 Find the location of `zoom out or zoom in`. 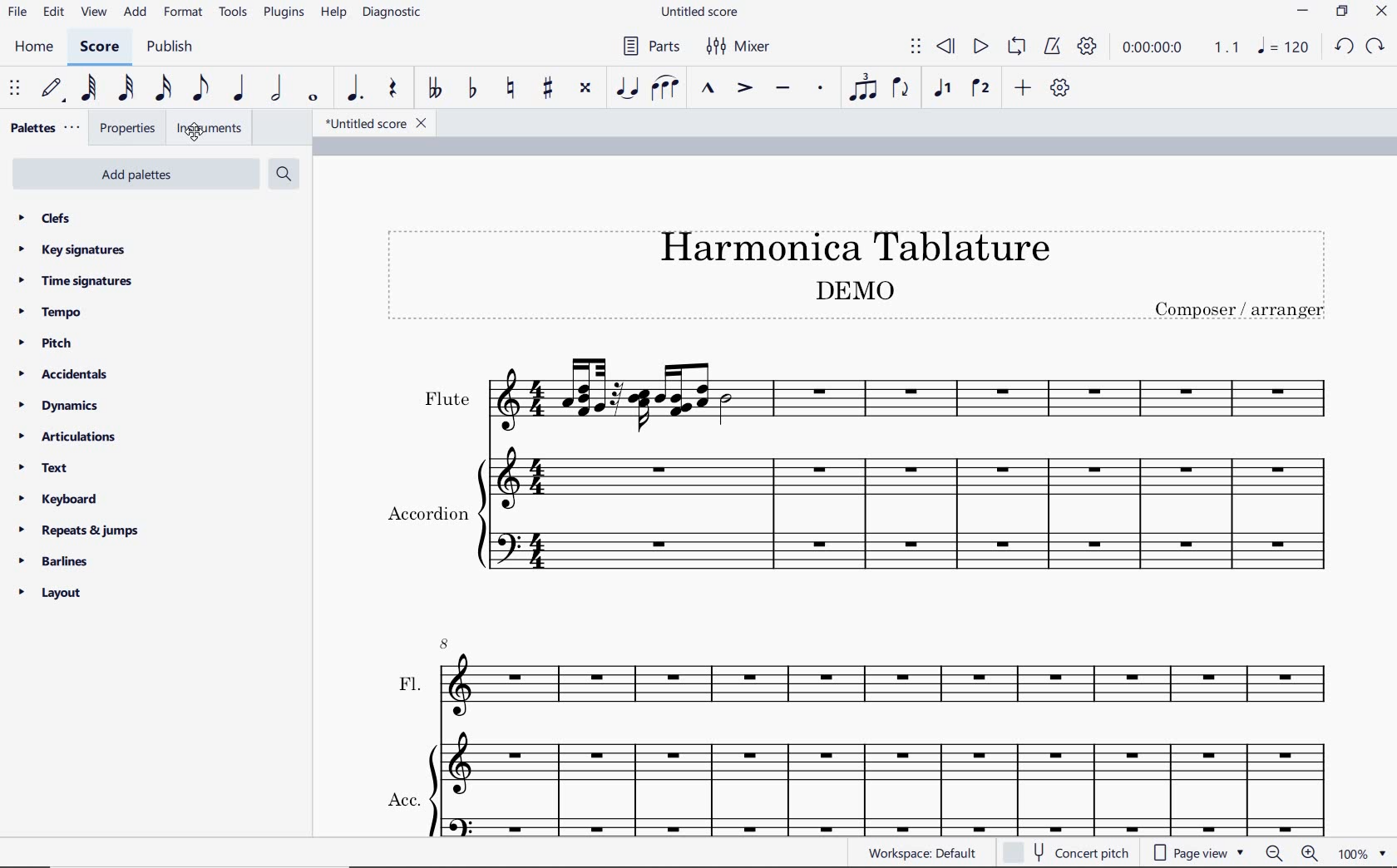

zoom out or zoom in is located at coordinates (1291, 854).